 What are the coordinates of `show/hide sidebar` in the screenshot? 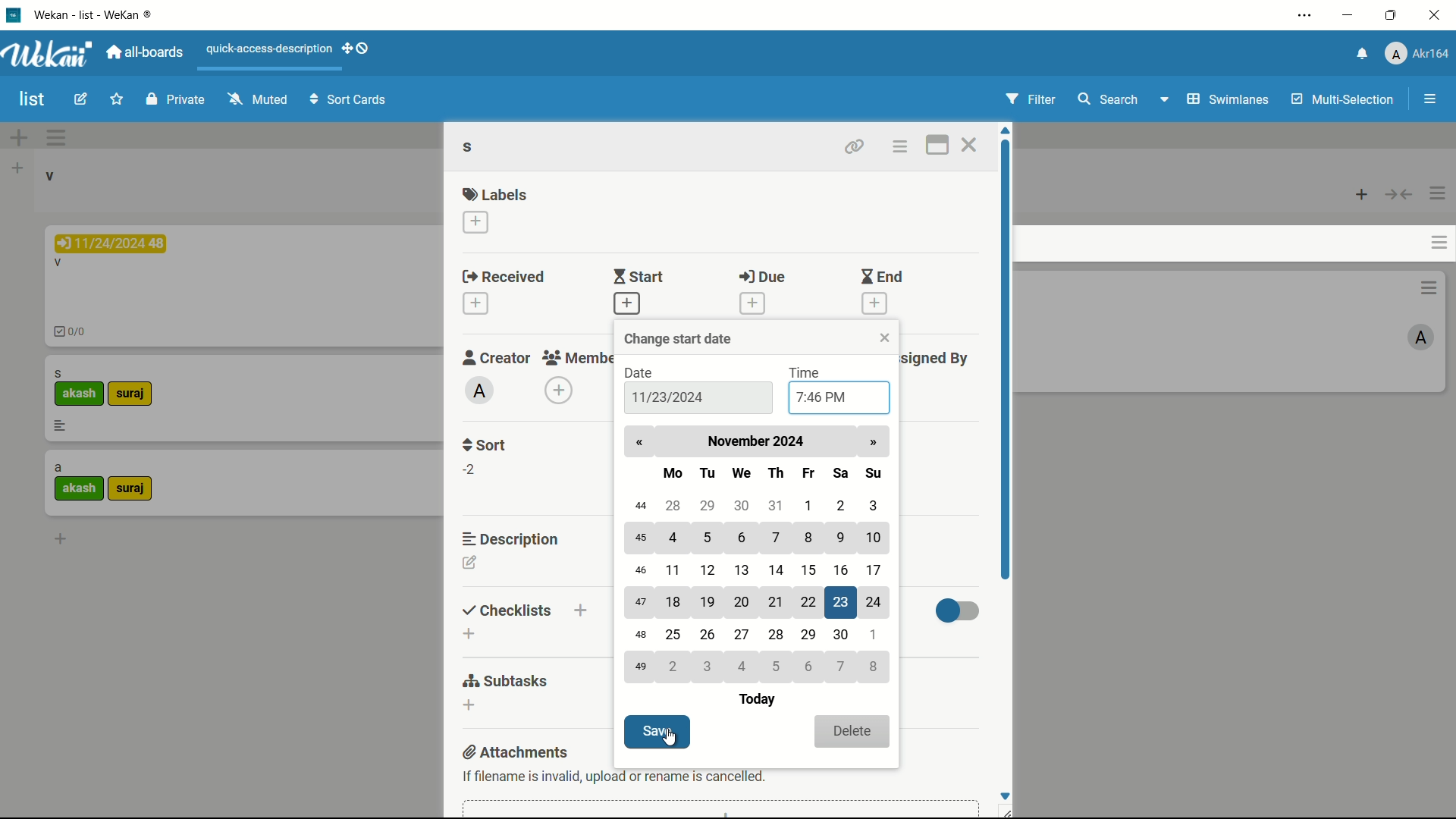 It's located at (1431, 99).